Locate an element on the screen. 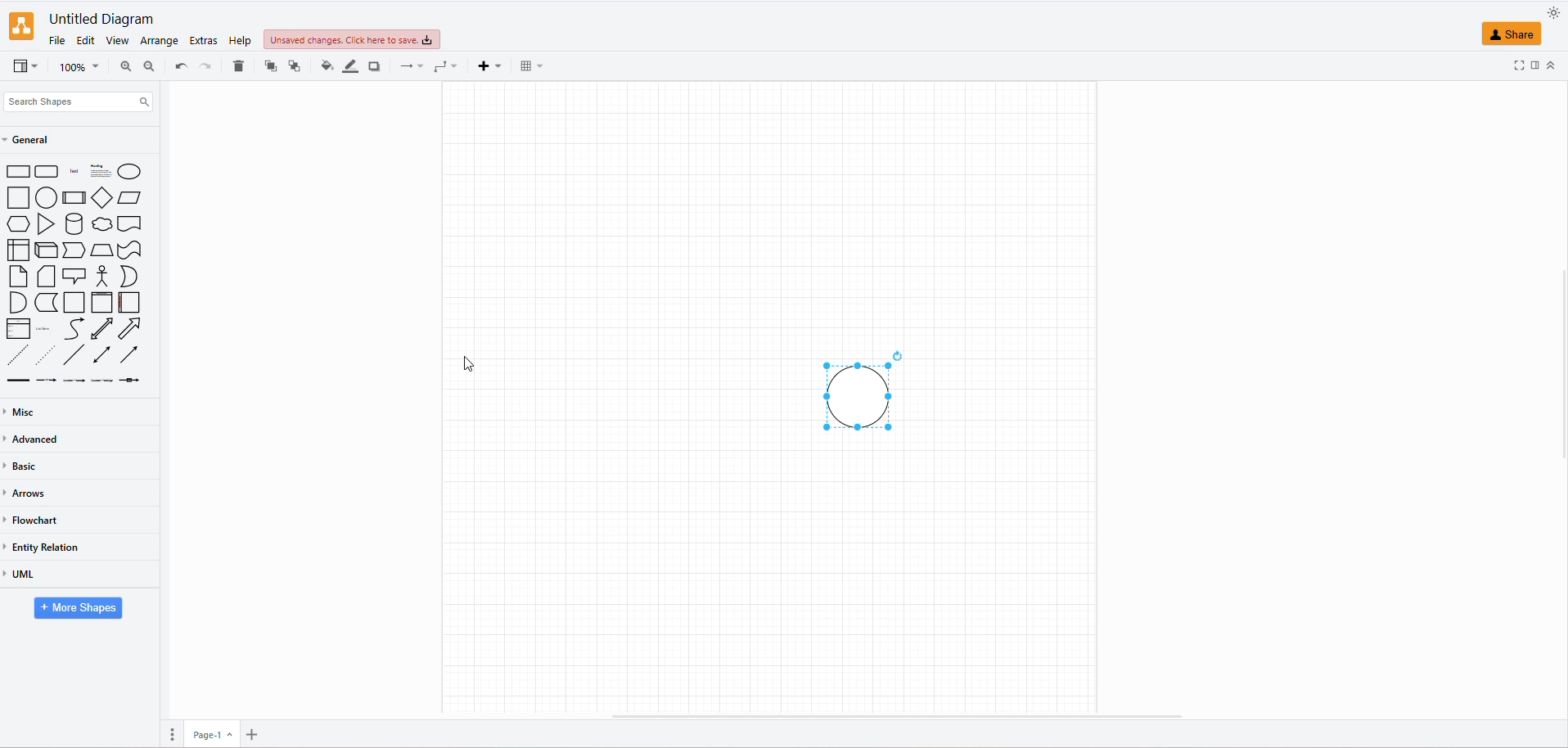 The height and width of the screenshot is (748, 1568). dotted line is located at coordinates (54, 382).